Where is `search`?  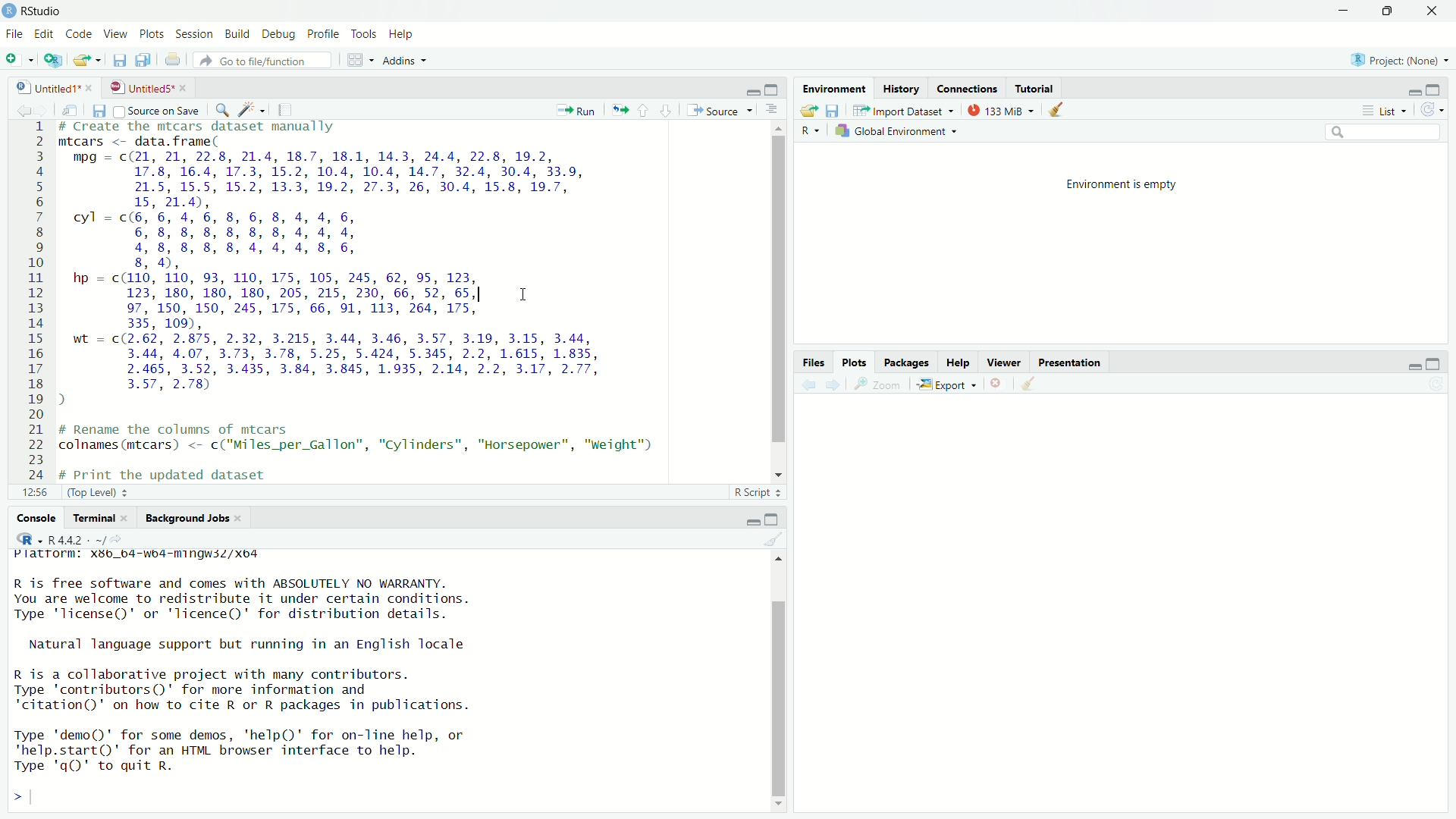
search is located at coordinates (219, 108).